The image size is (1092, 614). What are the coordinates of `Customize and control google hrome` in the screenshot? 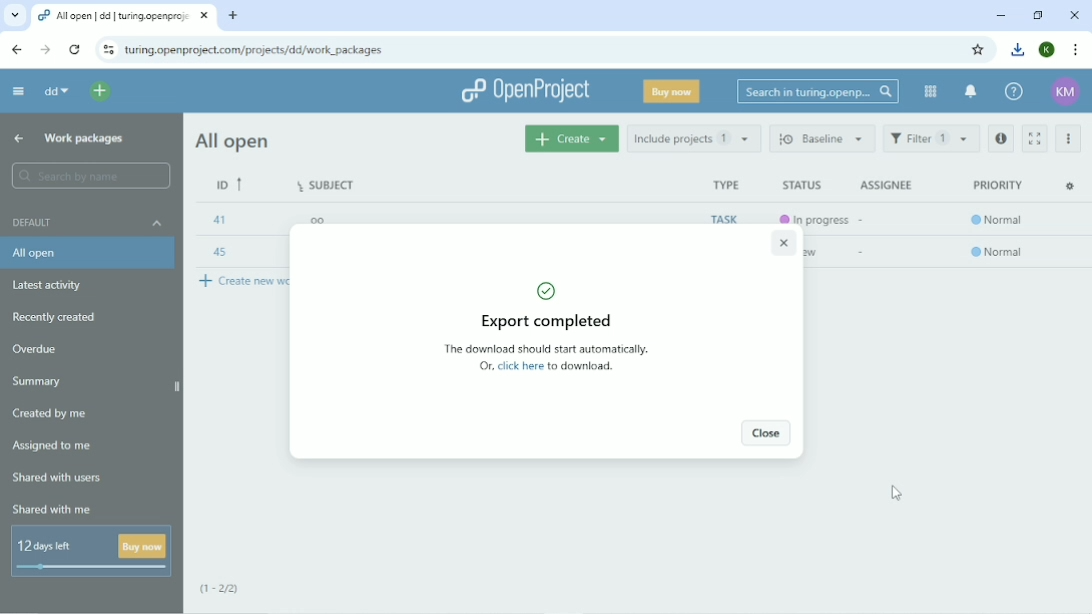 It's located at (1074, 50).